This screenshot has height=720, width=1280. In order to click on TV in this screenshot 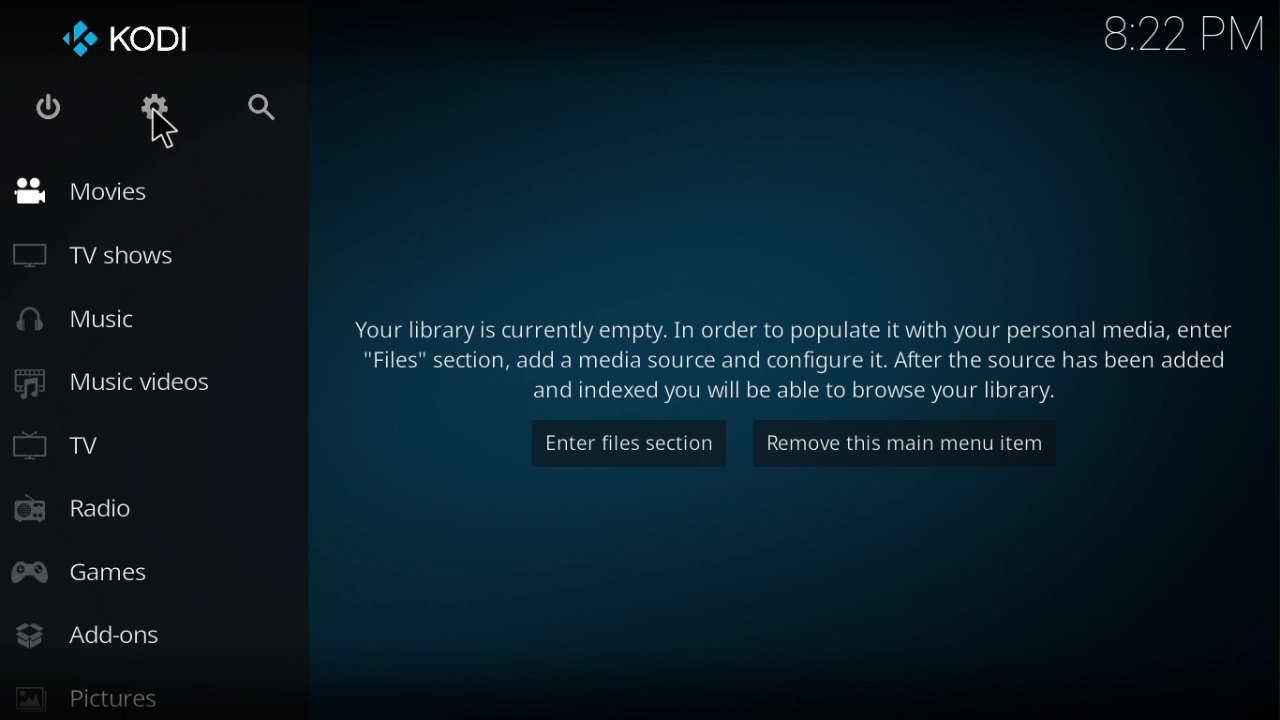, I will do `click(97, 446)`.